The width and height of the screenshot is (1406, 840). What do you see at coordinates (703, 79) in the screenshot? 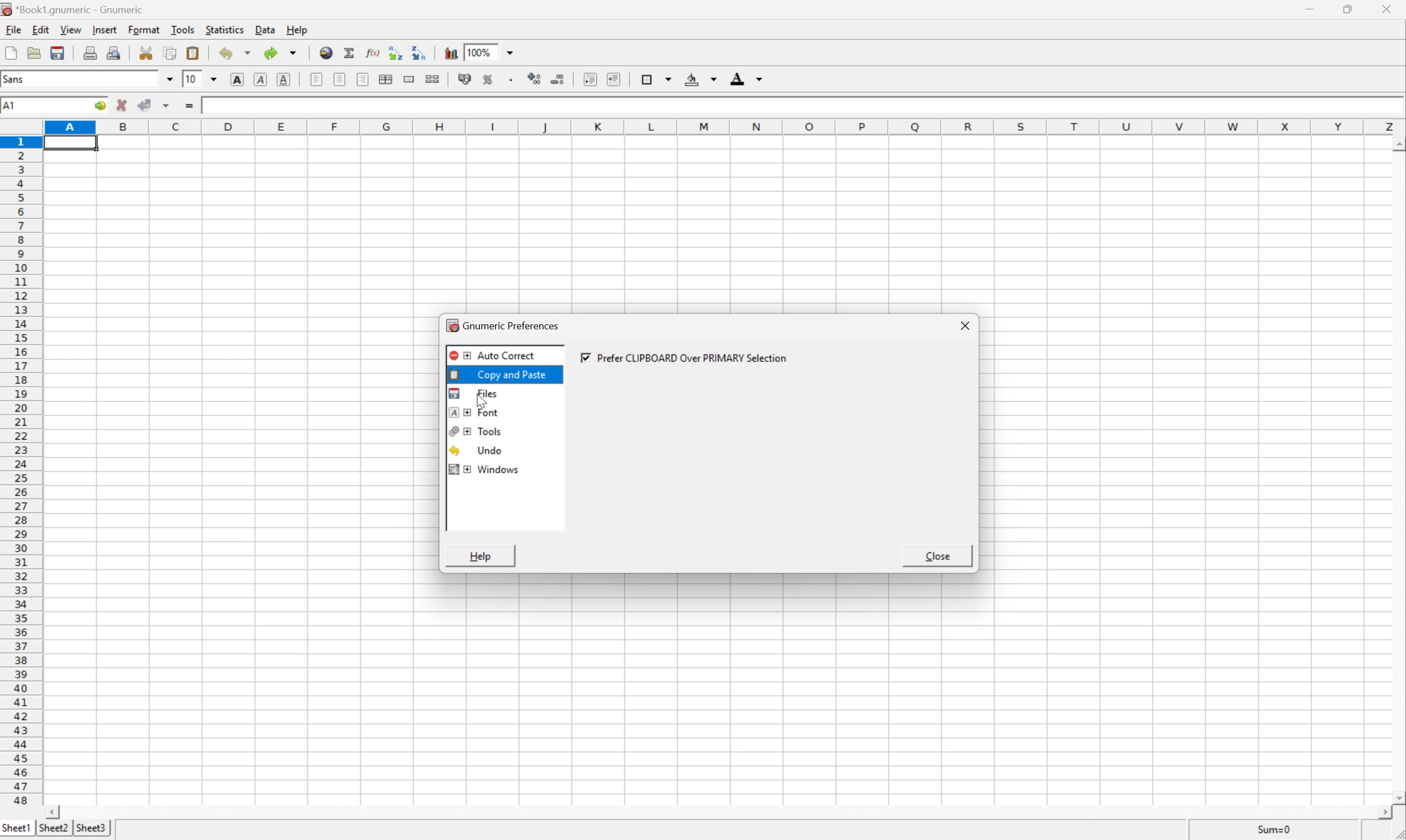
I see `background color` at bounding box center [703, 79].